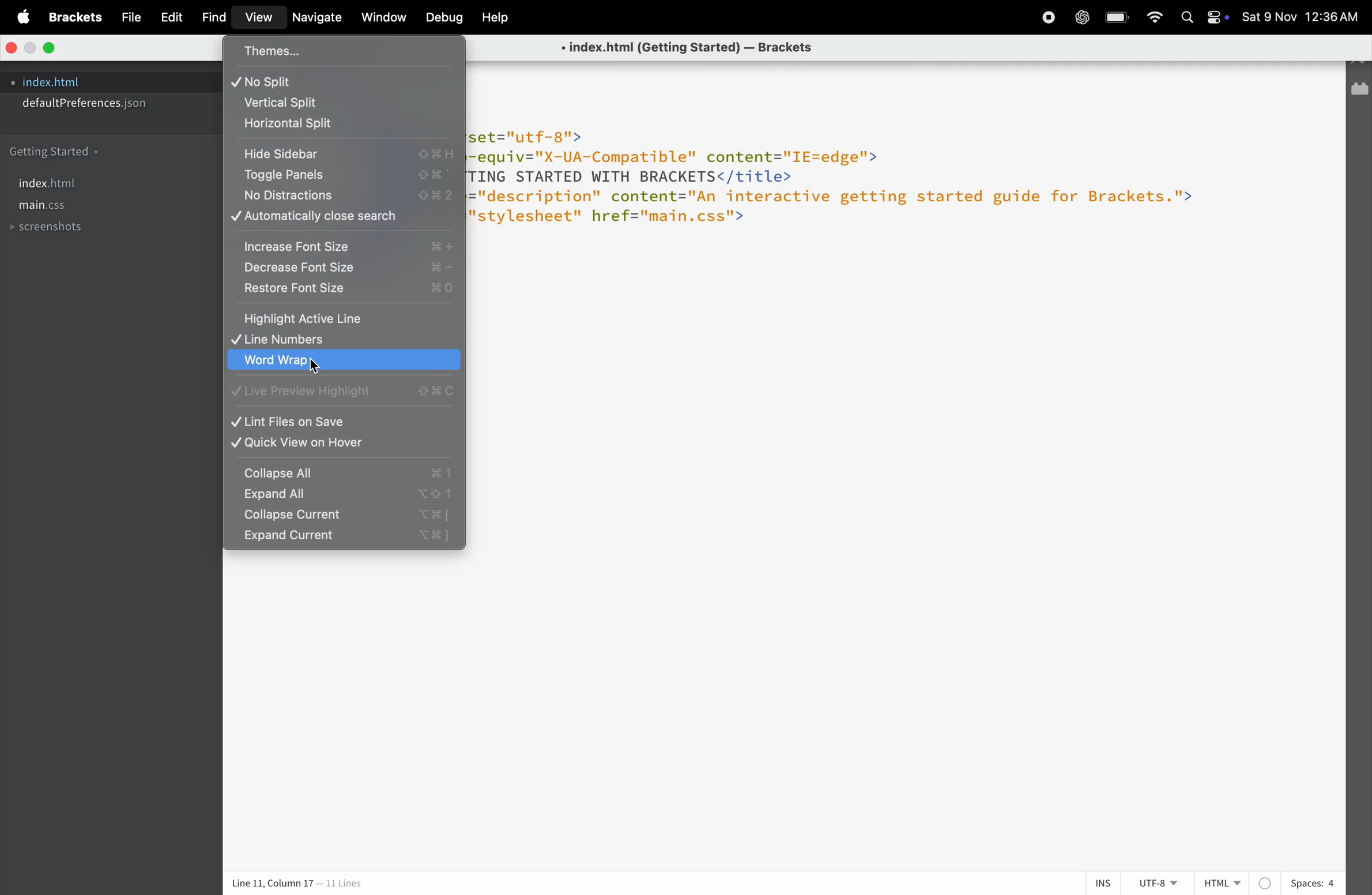 This screenshot has width=1372, height=895. What do you see at coordinates (25, 17) in the screenshot?
I see `apple menu` at bounding box center [25, 17].